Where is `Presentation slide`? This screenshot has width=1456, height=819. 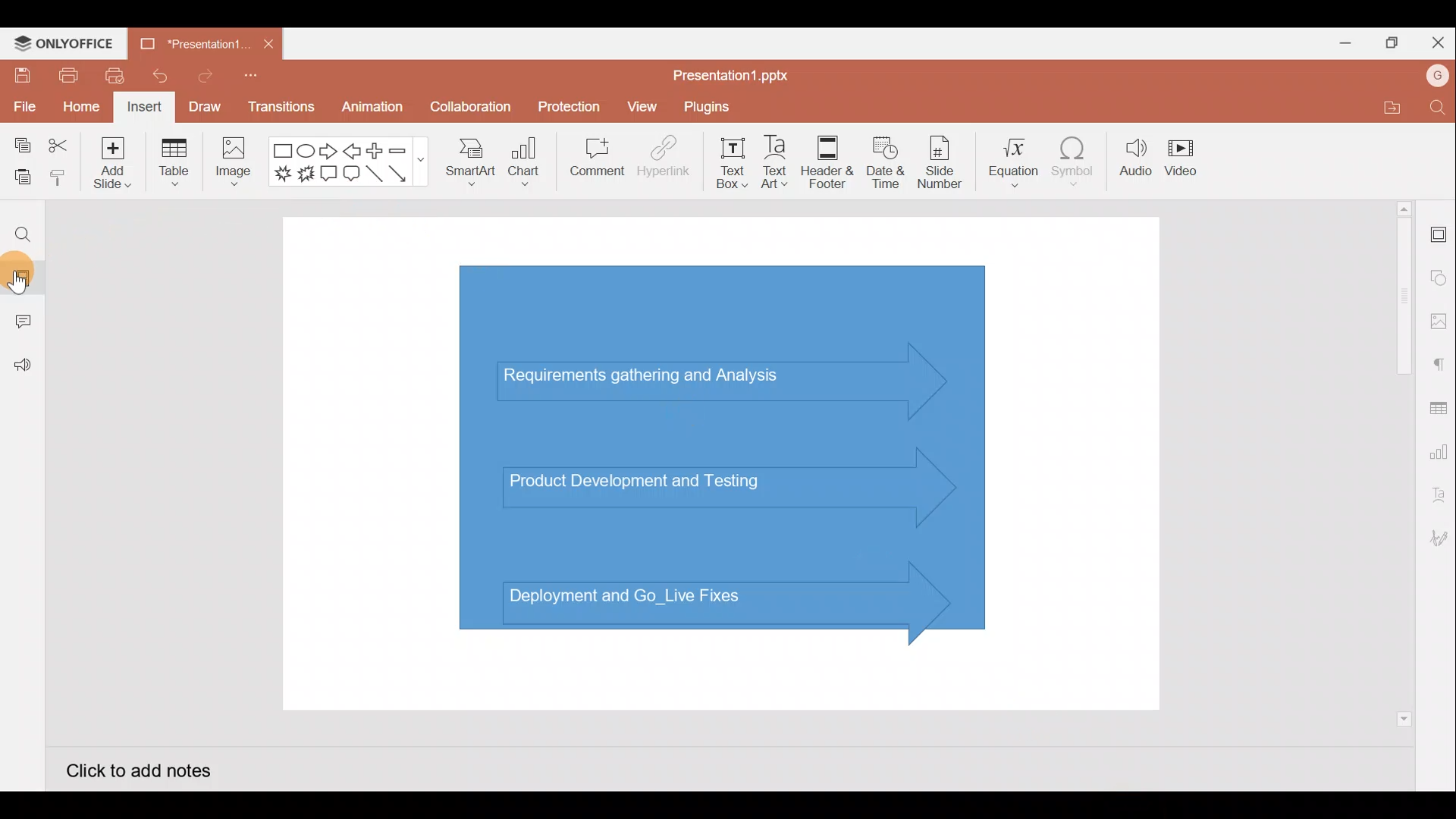 Presentation slide is located at coordinates (724, 461).